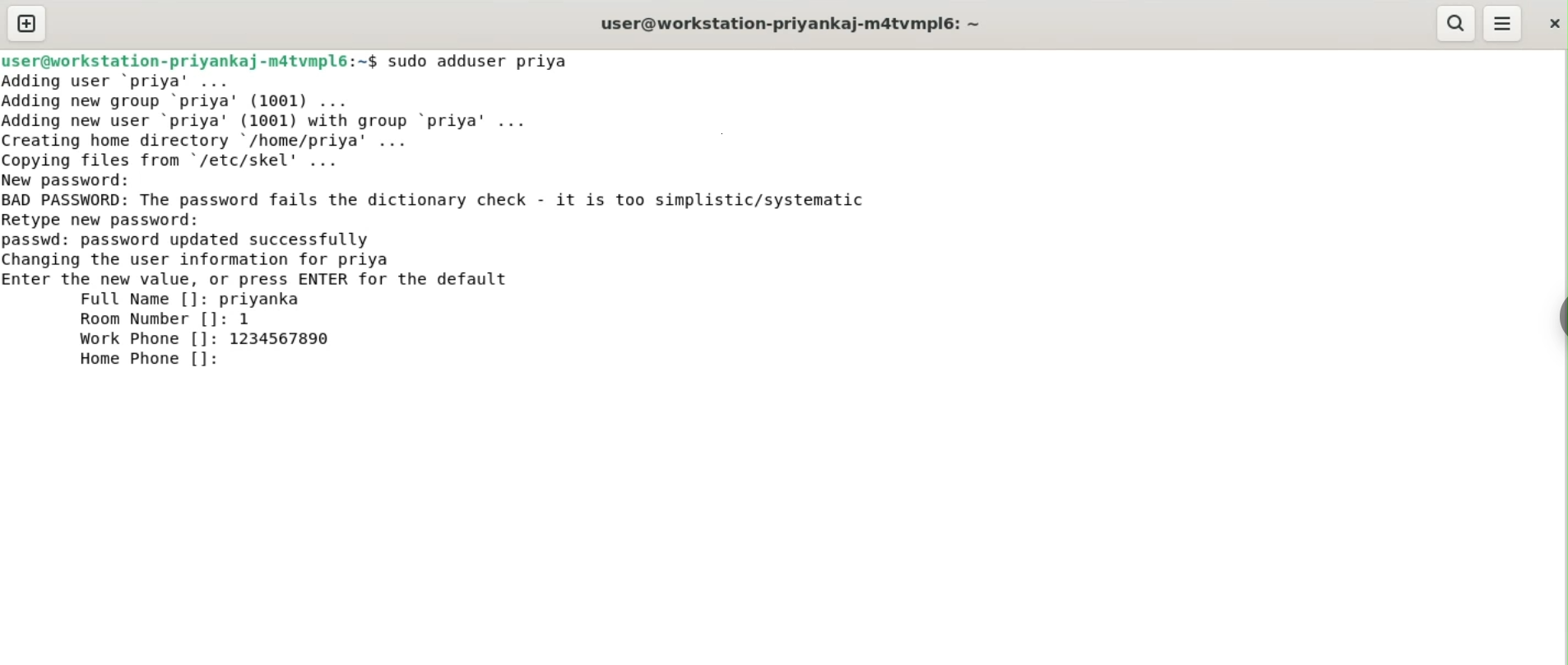 The height and width of the screenshot is (665, 1568). Describe the element at coordinates (26, 23) in the screenshot. I see `new tab` at that location.